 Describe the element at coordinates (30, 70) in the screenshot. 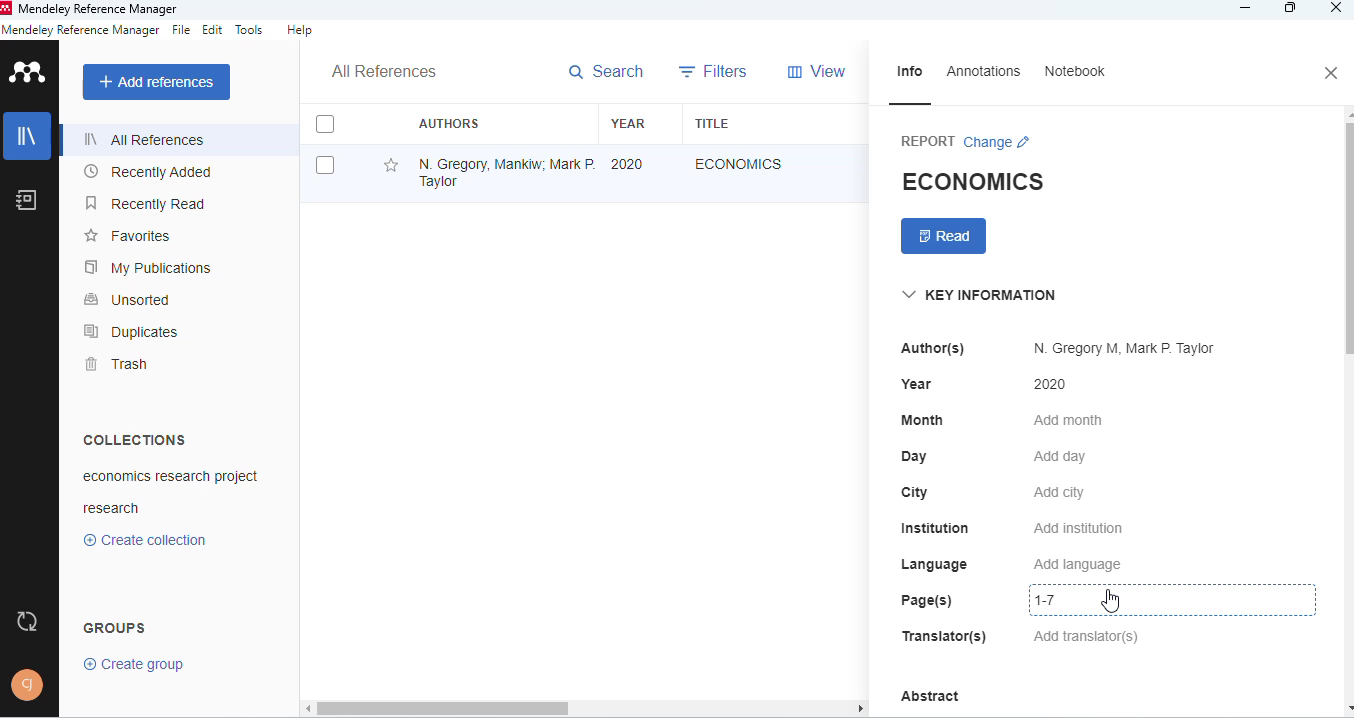

I see `logo` at that location.